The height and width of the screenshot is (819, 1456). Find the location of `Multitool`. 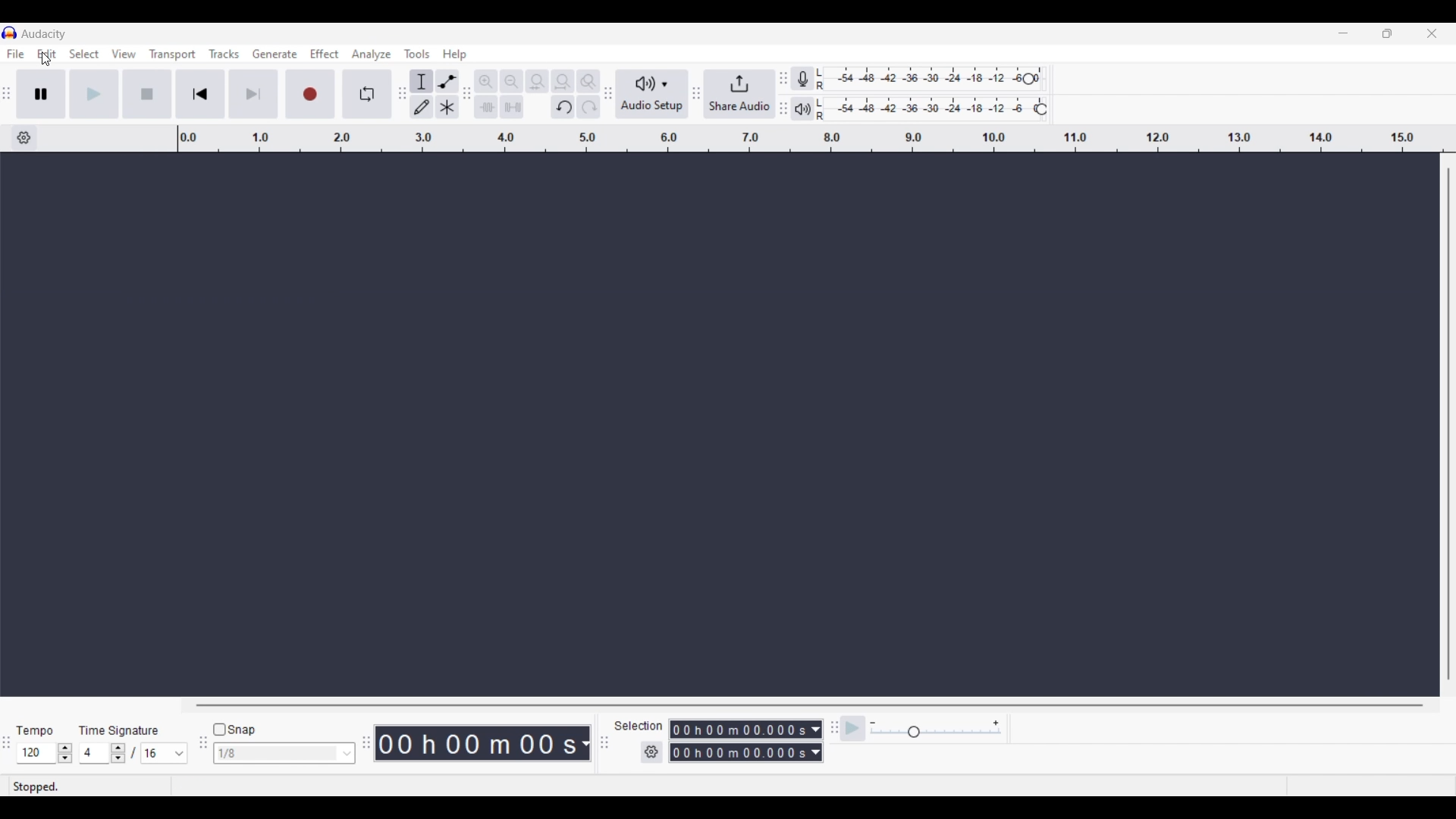

Multitool is located at coordinates (447, 108).